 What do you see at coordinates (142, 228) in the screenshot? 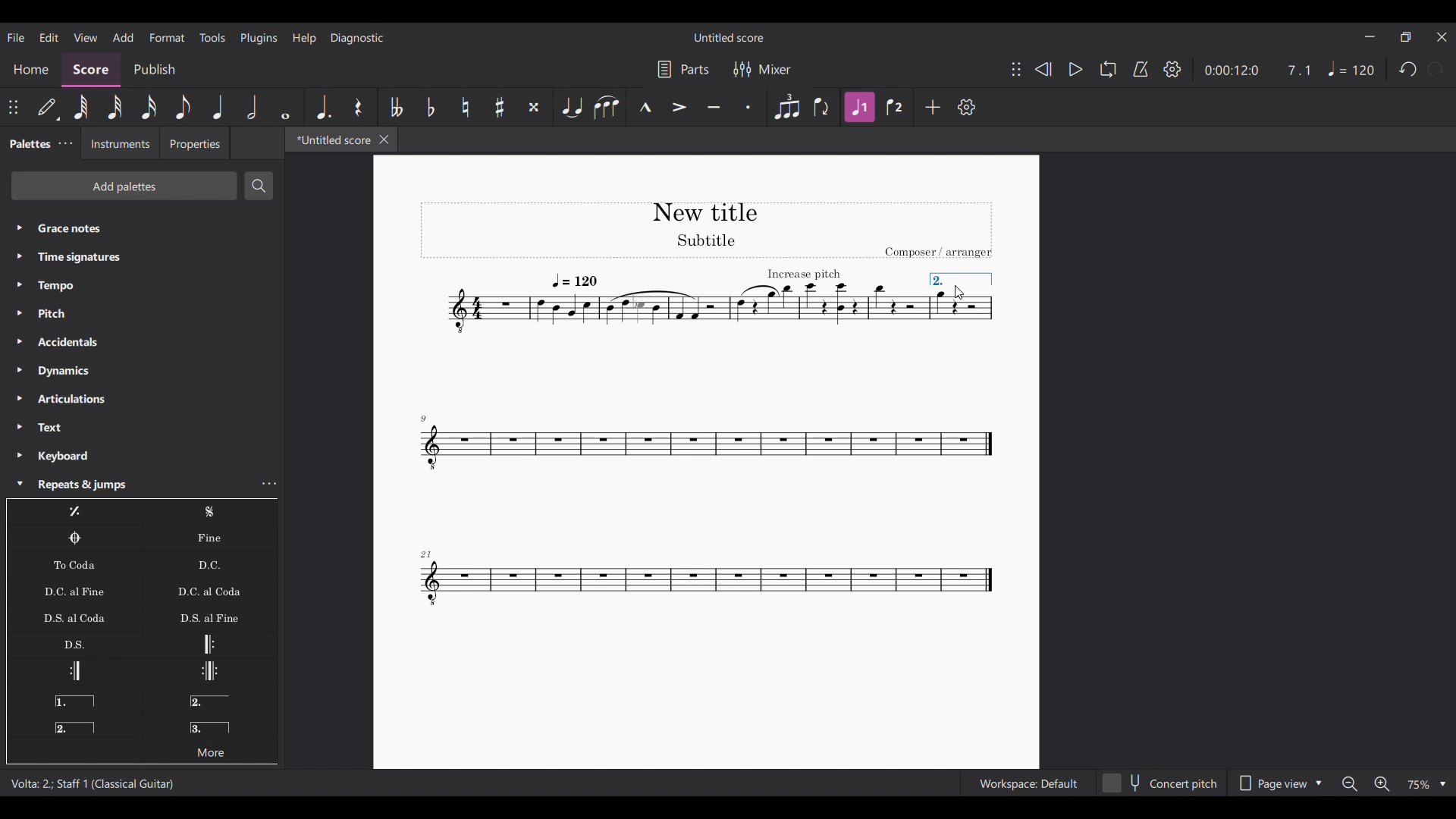
I see `Grace notes` at bounding box center [142, 228].